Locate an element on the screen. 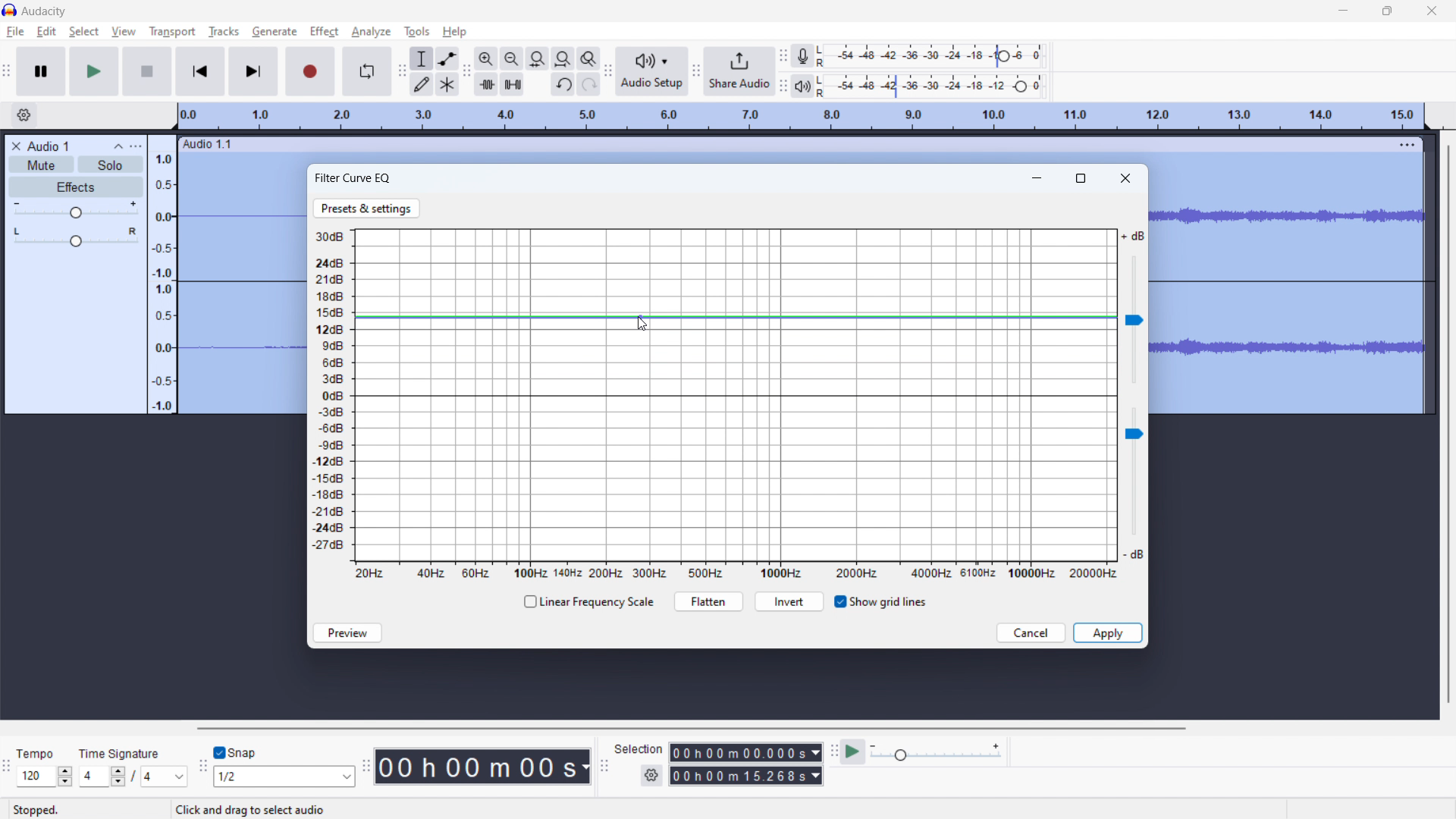 This screenshot has width=1456, height=819. preview is located at coordinates (347, 632).